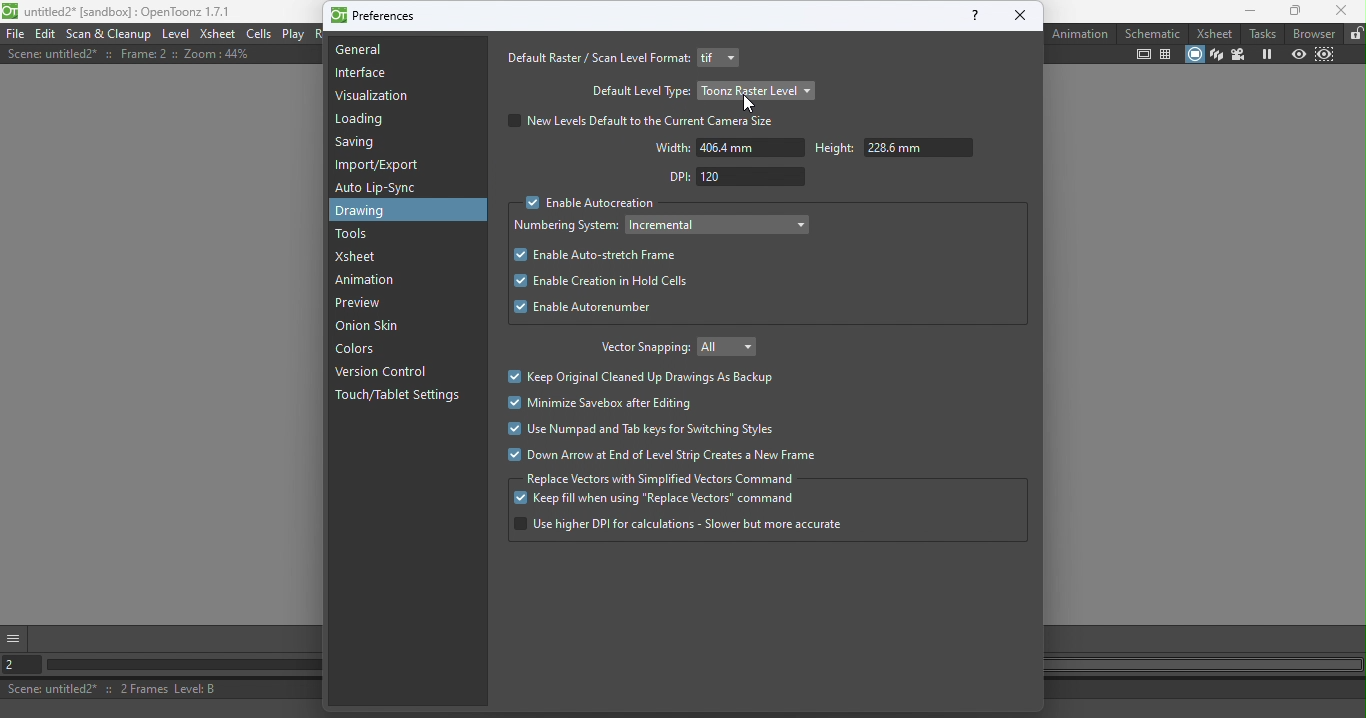 This screenshot has height=718, width=1366. I want to click on Preview, so click(1296, 56).